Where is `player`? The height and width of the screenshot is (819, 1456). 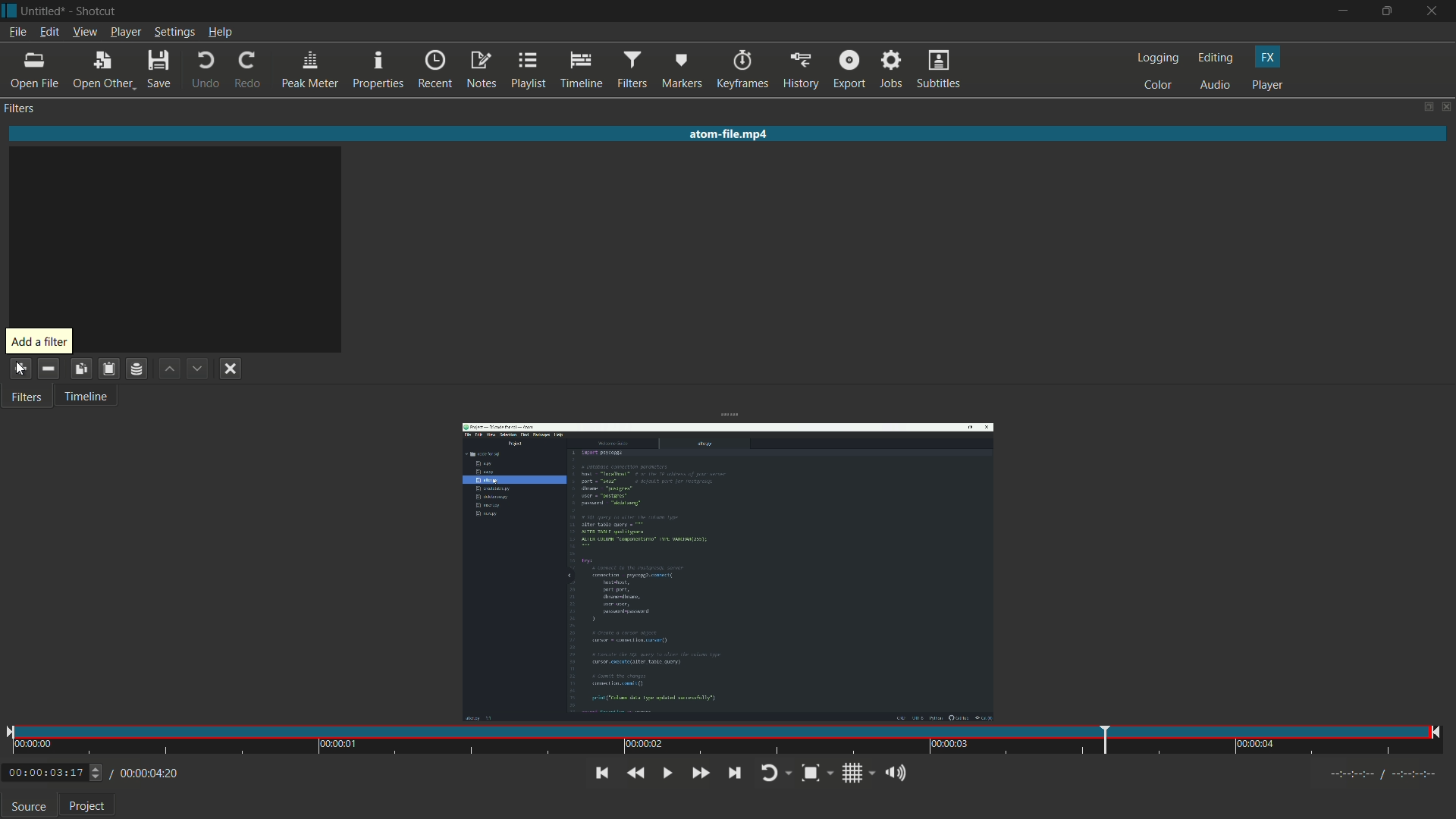
player is located at coordinates (1270, 85).